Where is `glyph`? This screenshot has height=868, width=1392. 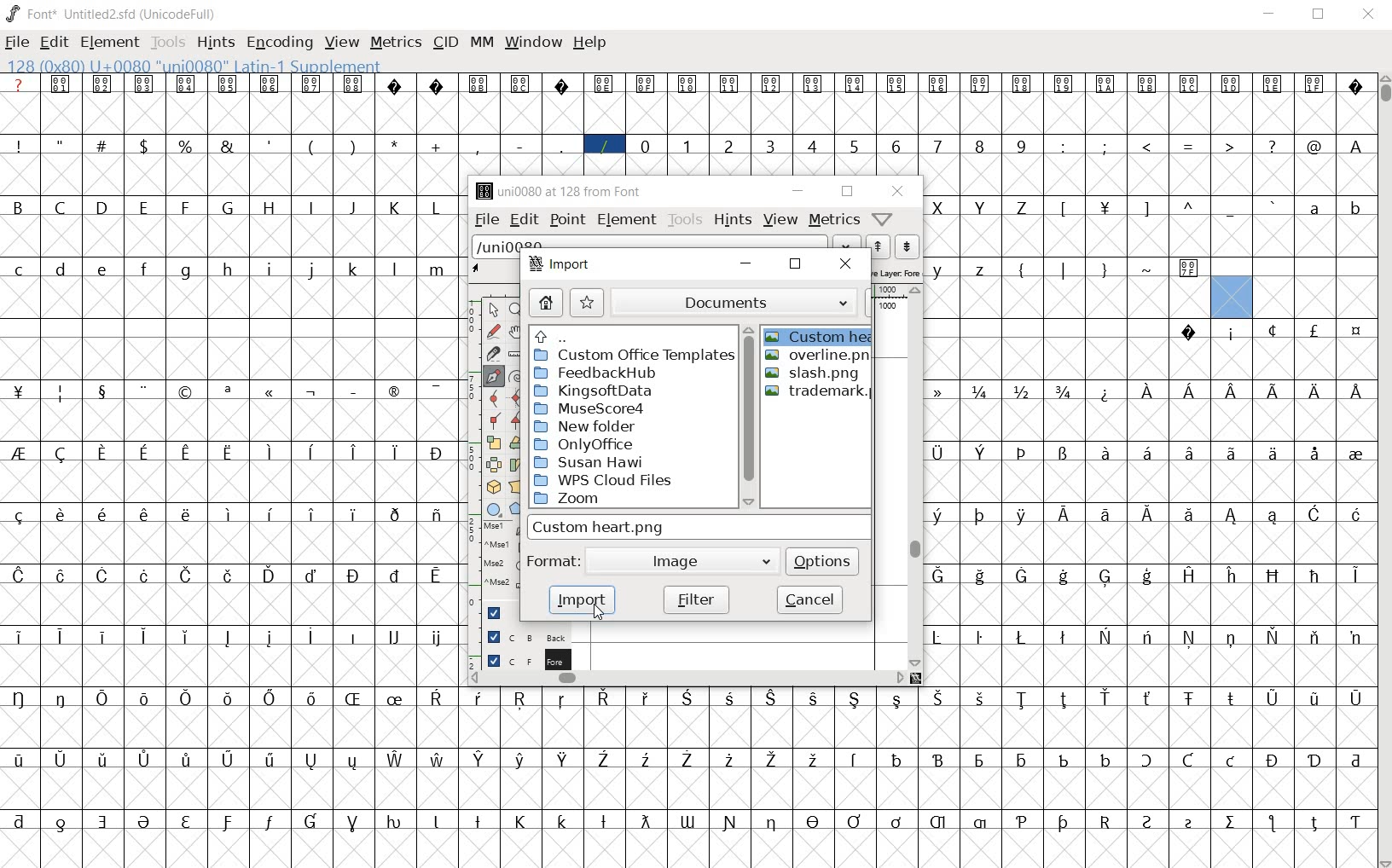 glyph is located at coordinates (60, 143).